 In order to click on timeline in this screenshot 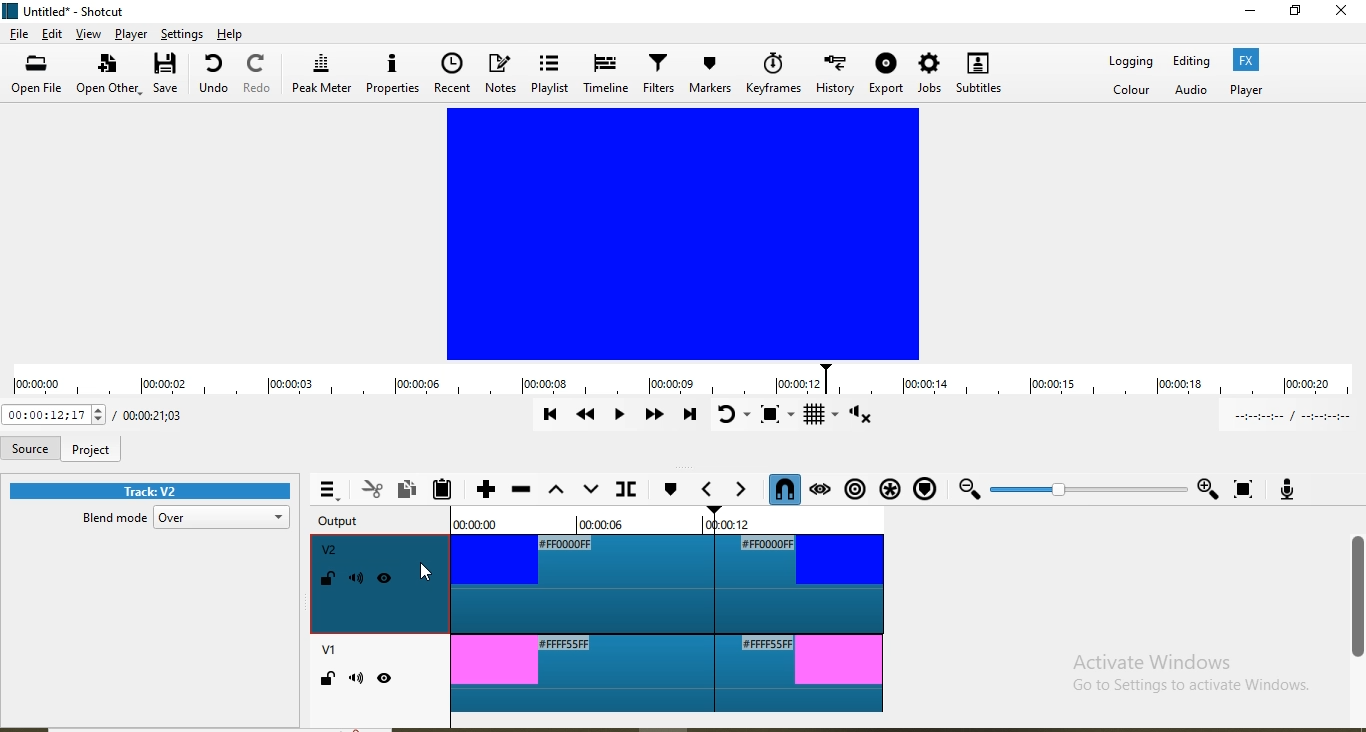, I will do `click(680, 378)`.